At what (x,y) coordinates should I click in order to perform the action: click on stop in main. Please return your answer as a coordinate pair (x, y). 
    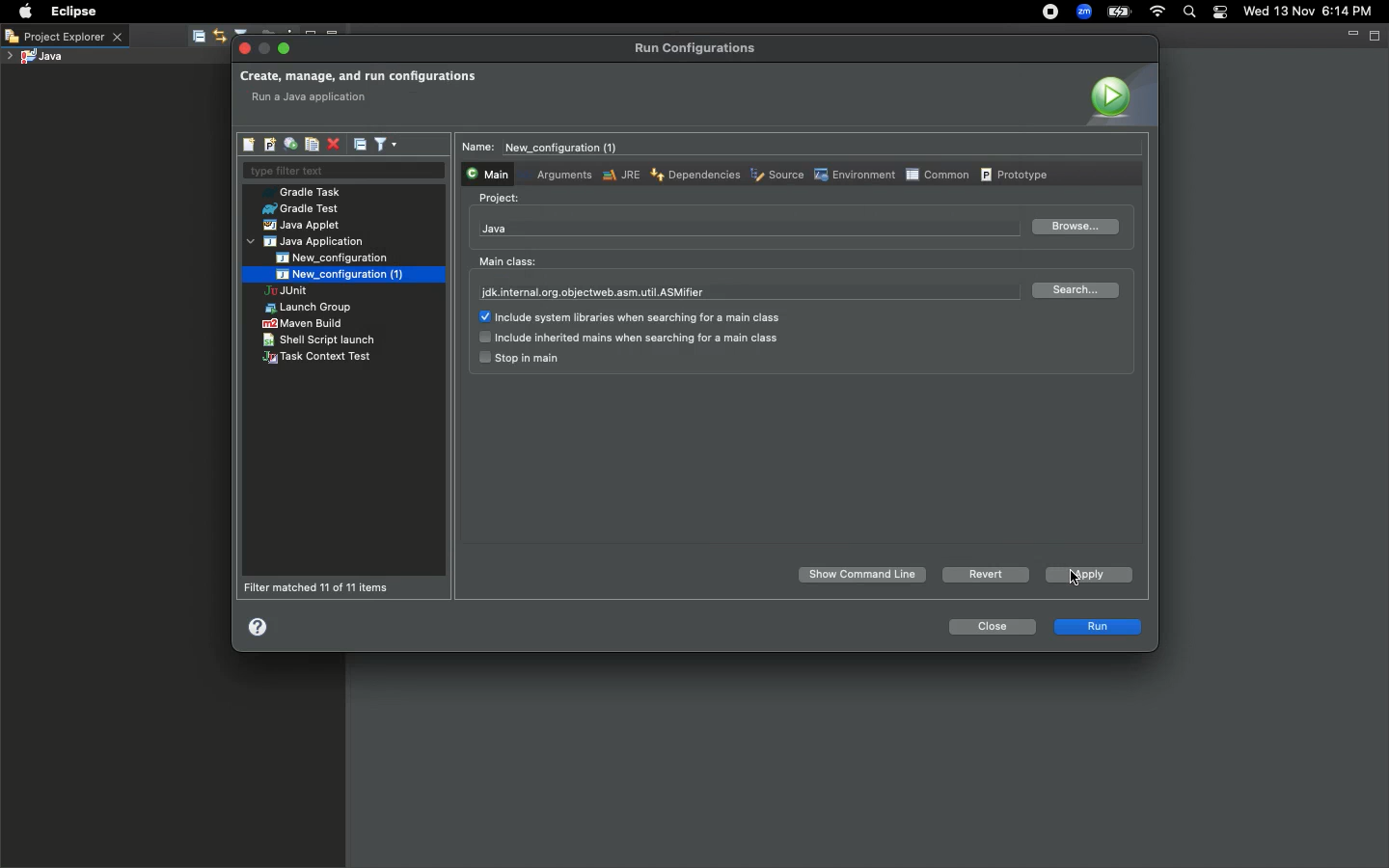
    Looking at the image, I should click on (518, 359).